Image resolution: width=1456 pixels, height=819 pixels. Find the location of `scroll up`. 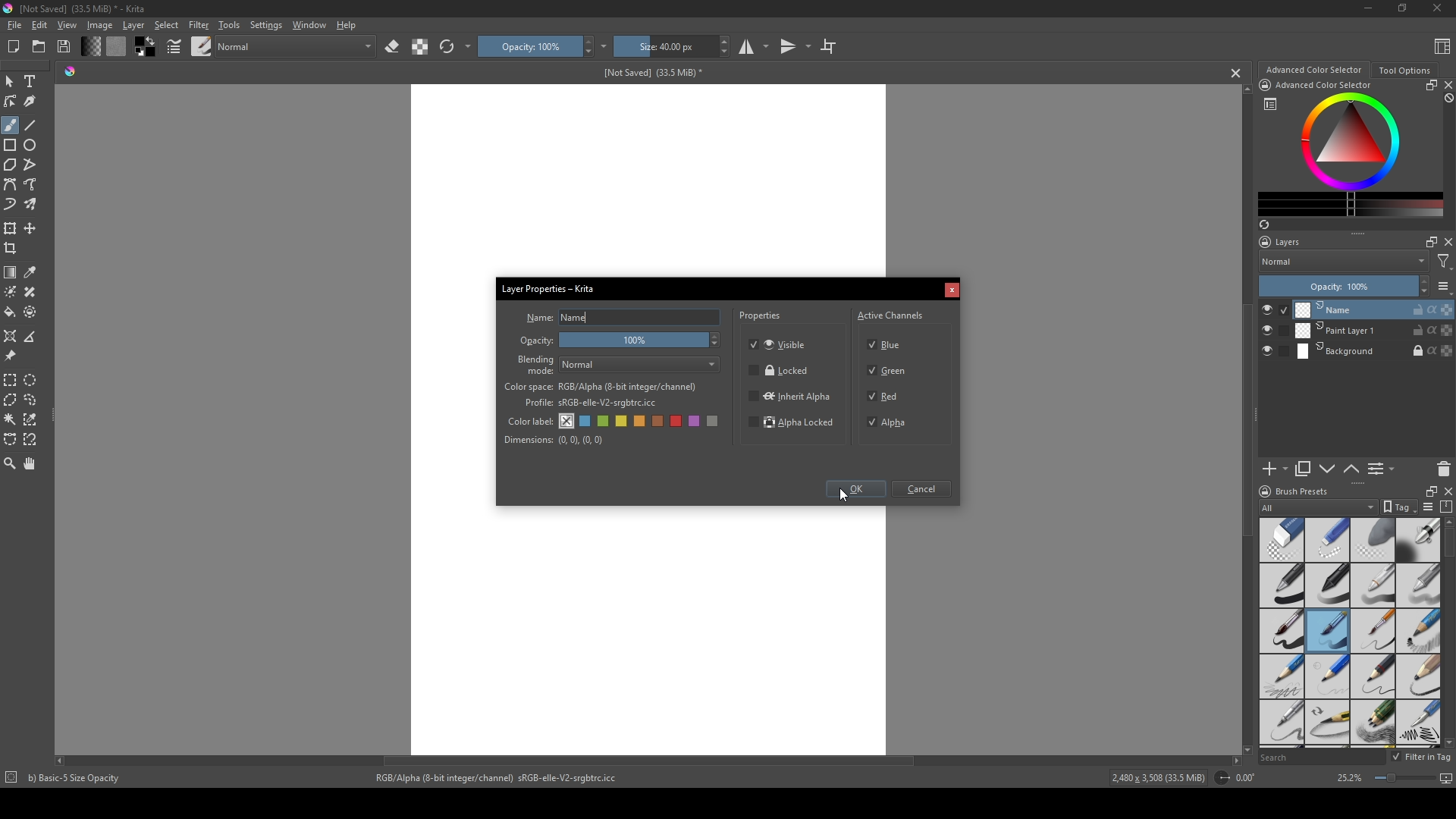

scroll up is located at coordinates (1244, 89).